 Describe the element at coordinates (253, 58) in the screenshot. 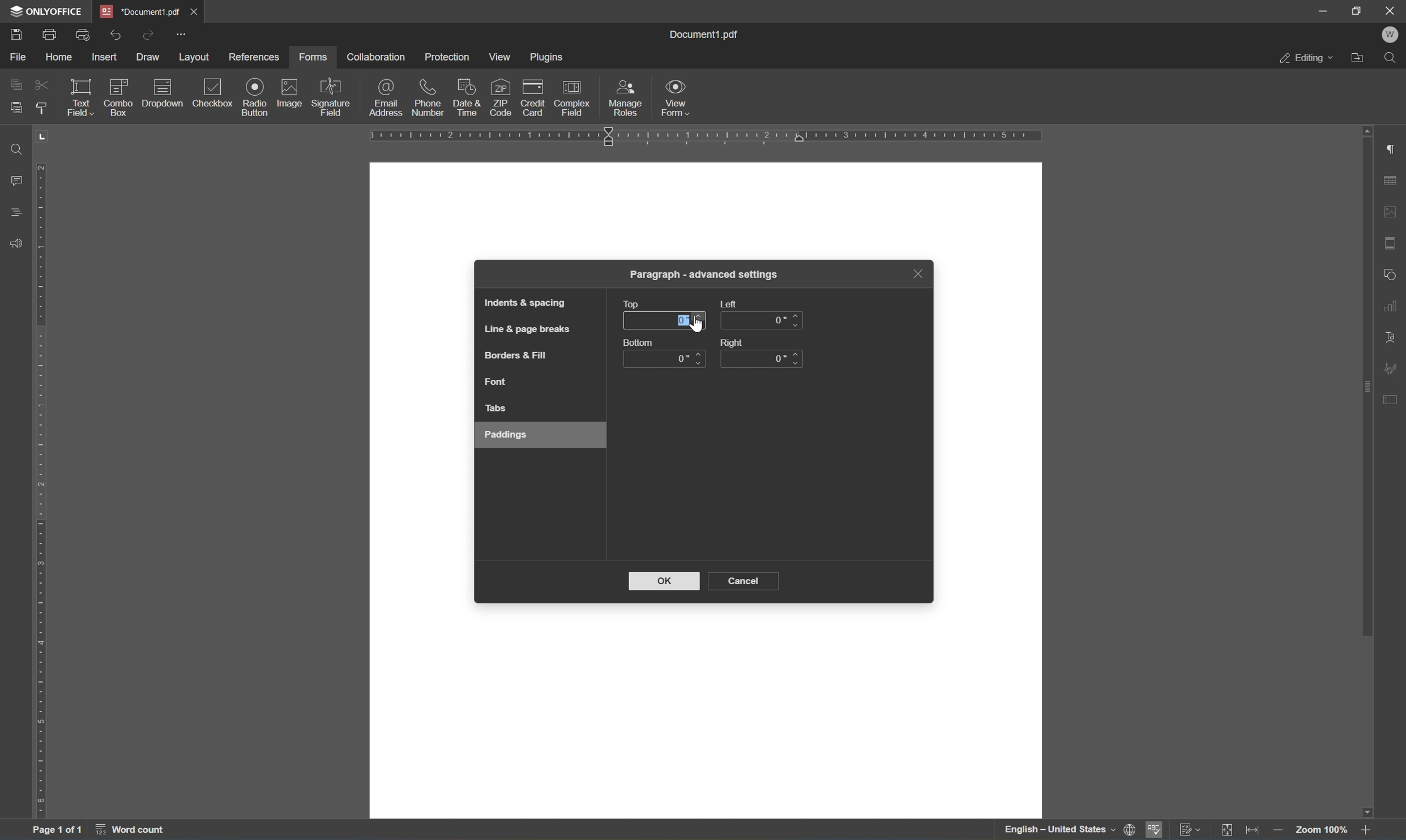

I see `references` at that location.